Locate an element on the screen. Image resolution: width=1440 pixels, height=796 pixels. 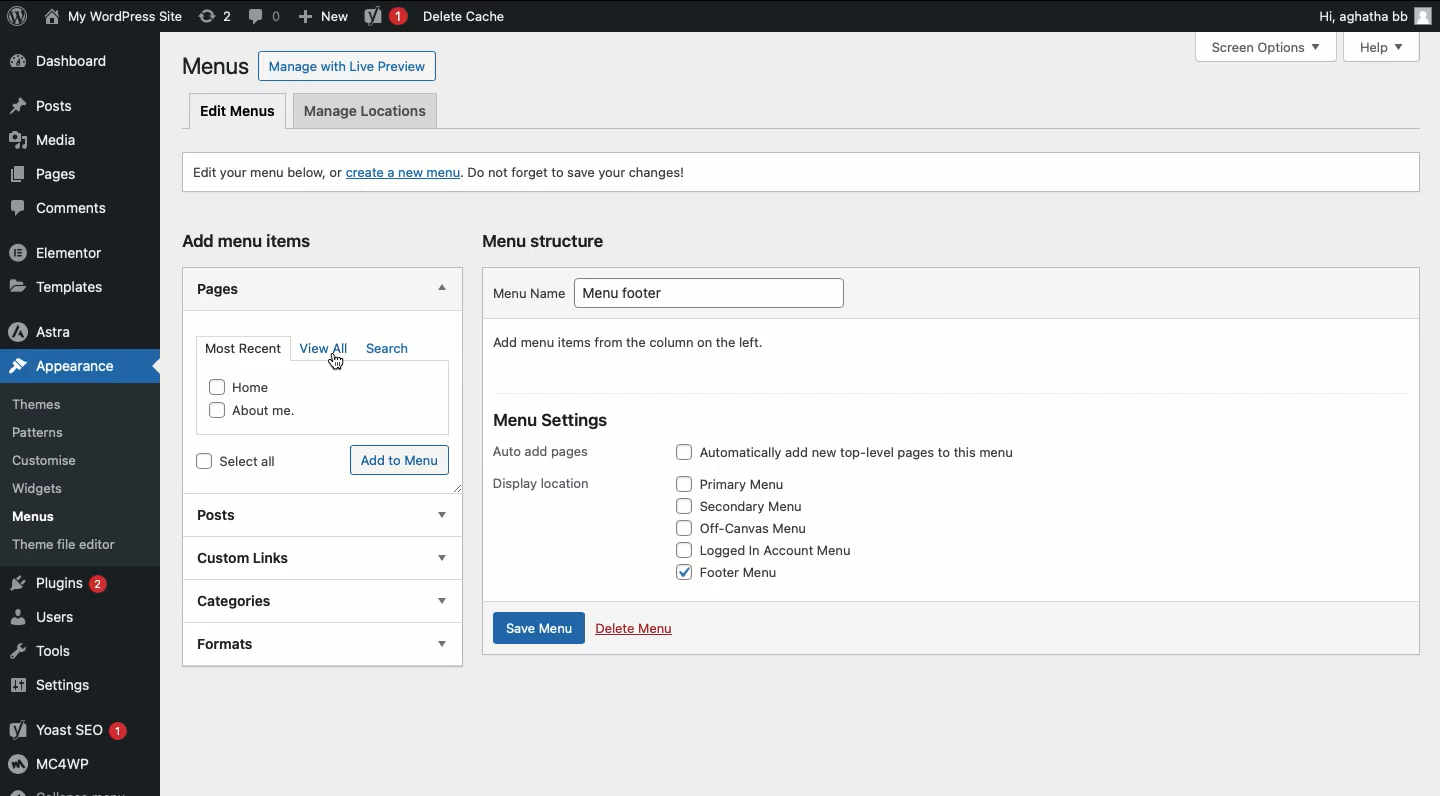
Edit your menu below, or is located at coordinates (254, 171).